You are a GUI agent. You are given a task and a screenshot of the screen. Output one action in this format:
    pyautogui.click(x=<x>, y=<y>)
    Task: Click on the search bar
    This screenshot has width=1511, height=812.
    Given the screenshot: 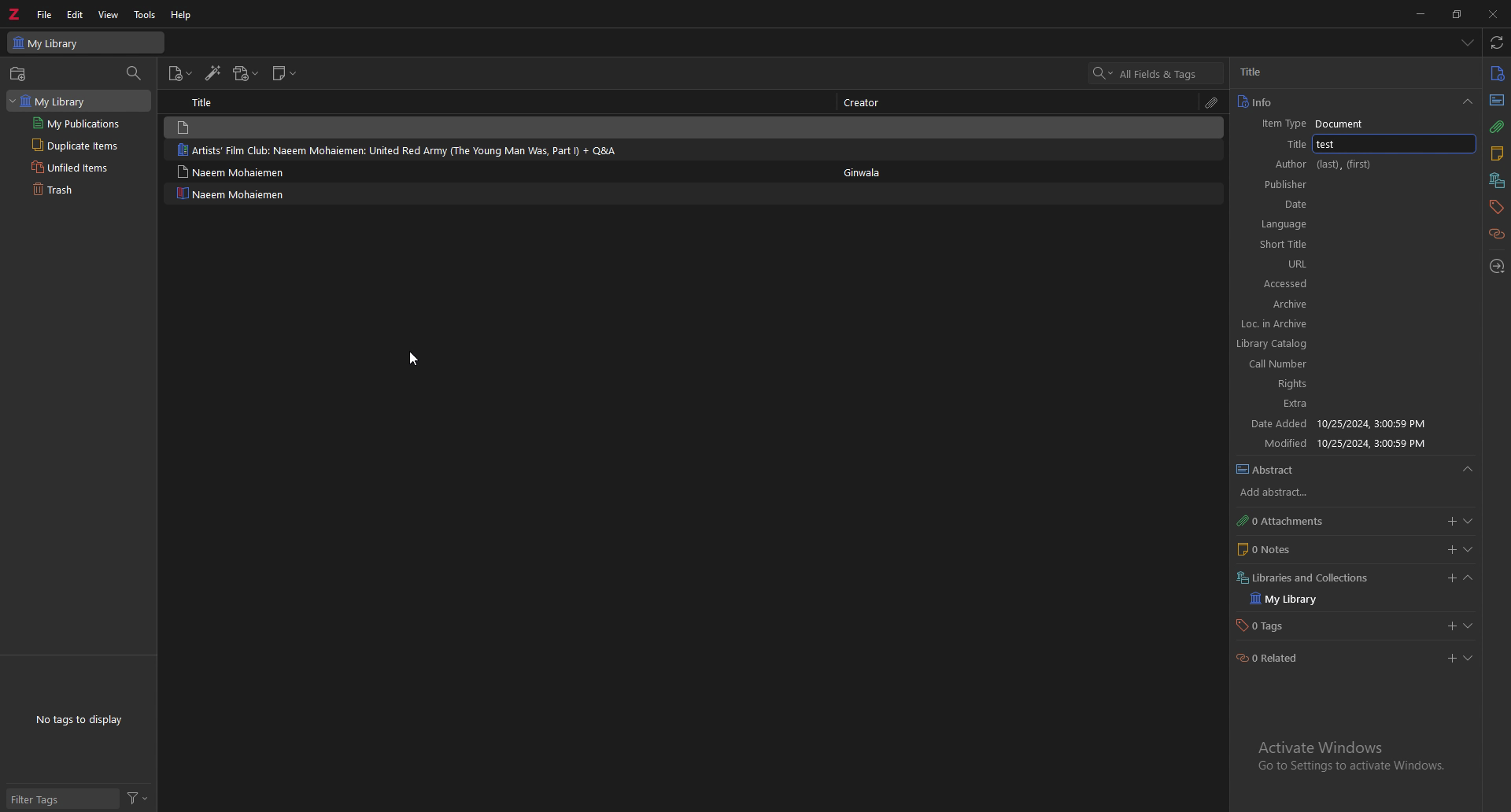 What is the action you would take?
    pyautogui.click(x=1156, y=73)
    